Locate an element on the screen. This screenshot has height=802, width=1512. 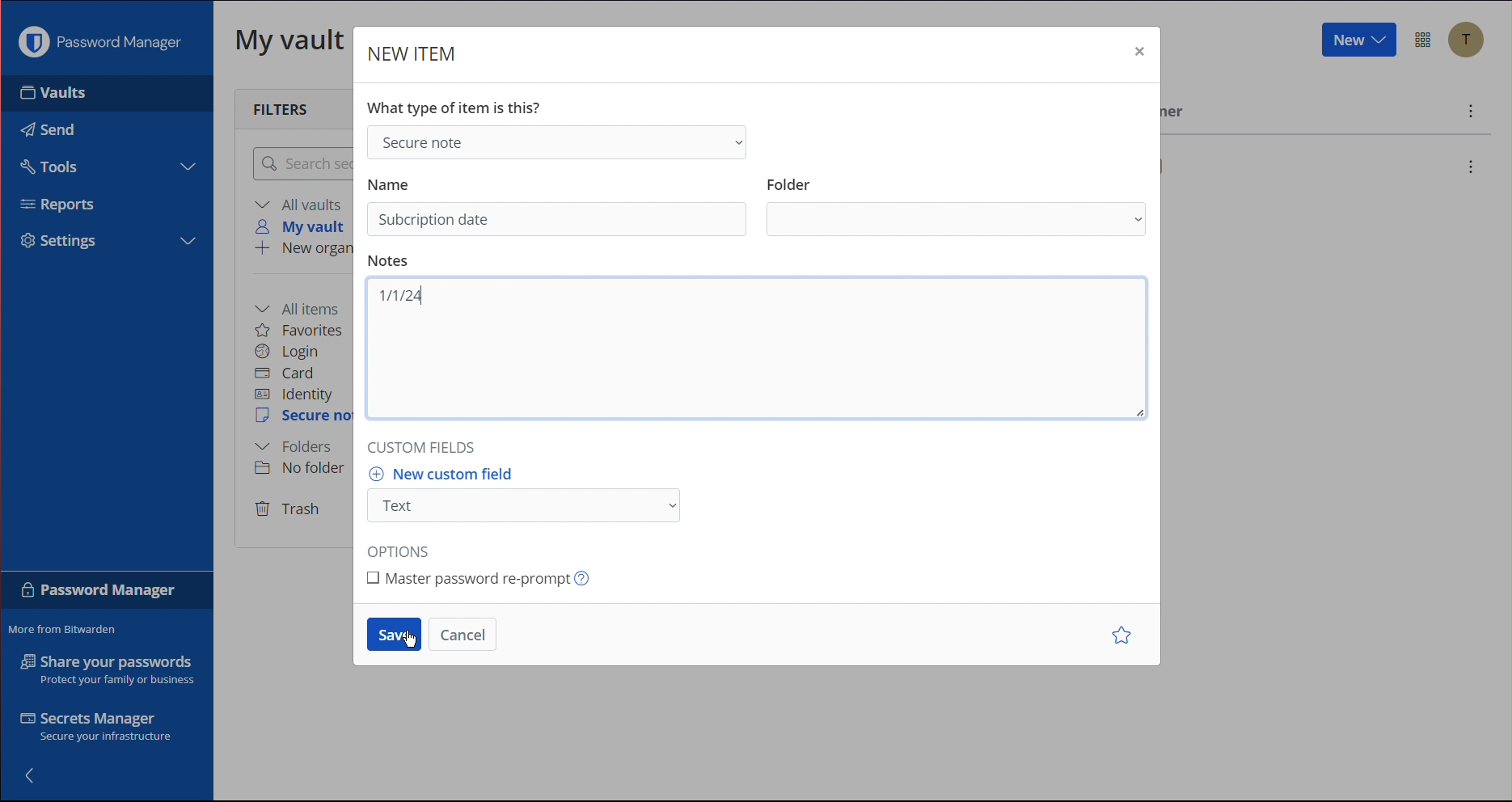
Star is located at coordinates (1125, 636).